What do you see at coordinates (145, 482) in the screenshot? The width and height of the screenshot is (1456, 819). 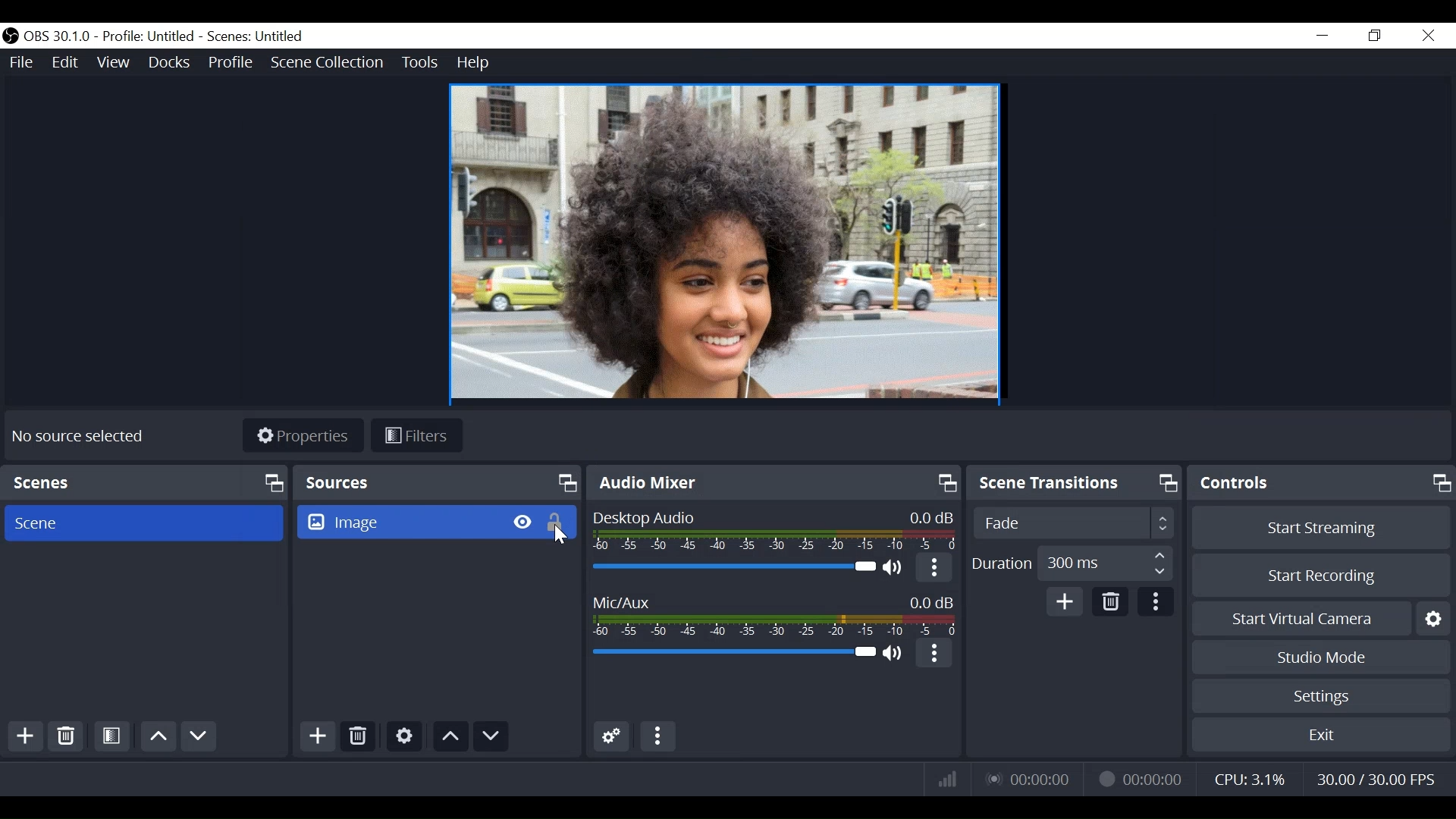 I see `Scenes` at bounding box center [145, 482].